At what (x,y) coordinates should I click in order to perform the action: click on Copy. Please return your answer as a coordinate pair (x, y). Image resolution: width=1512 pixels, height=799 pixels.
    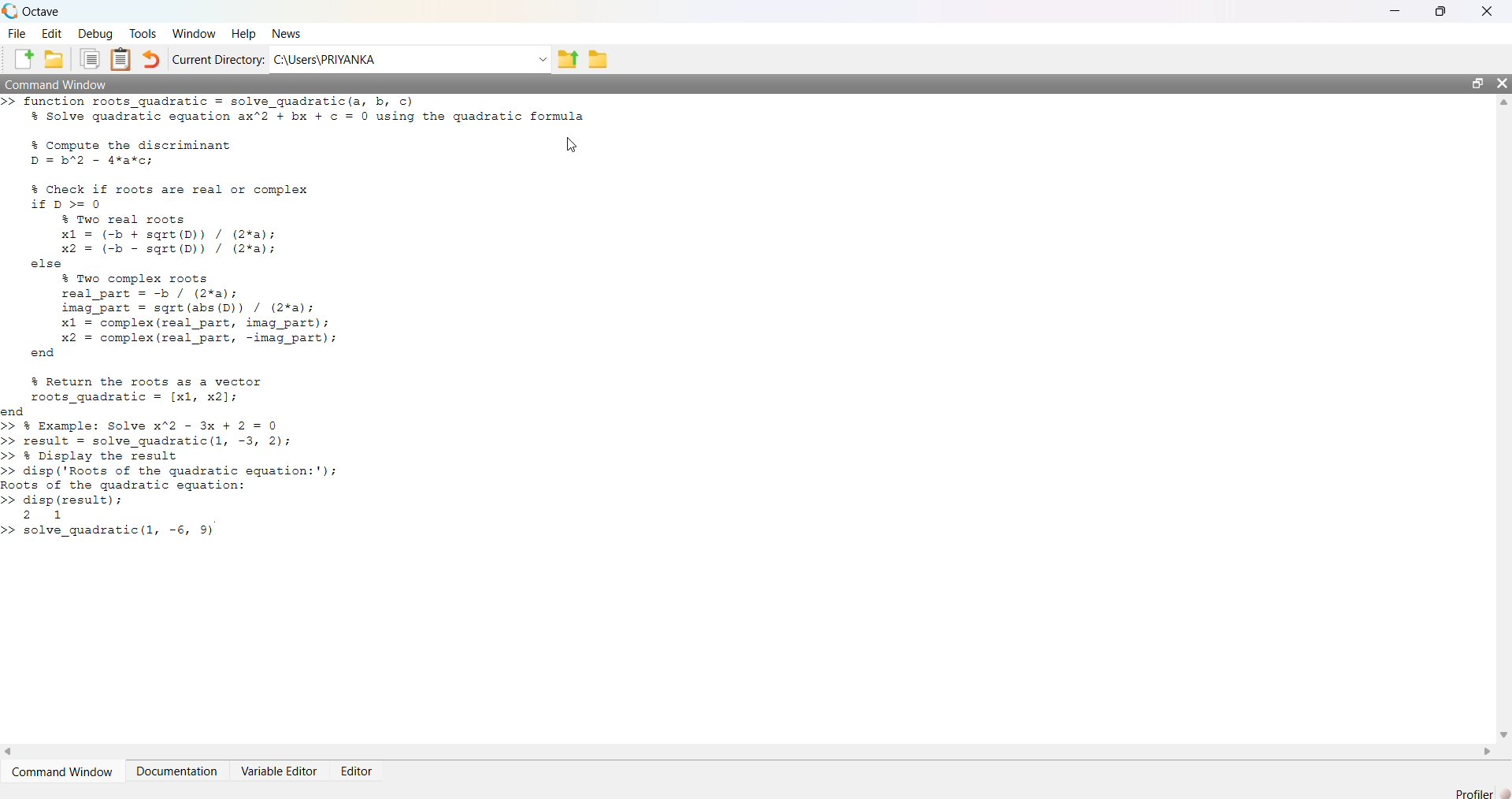
    Looking at the image, I should click on (88, 59).